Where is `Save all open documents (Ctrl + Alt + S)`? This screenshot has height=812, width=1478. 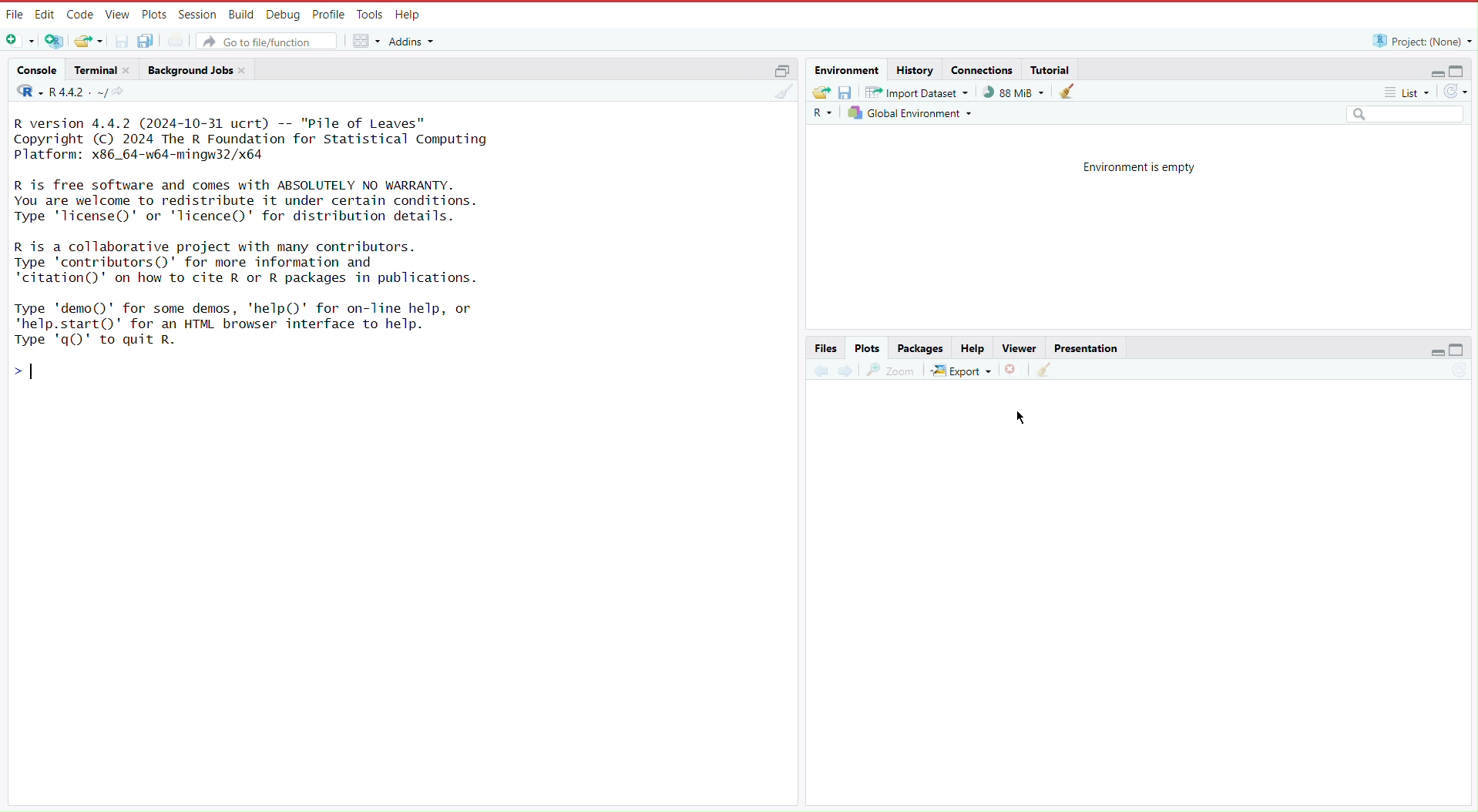
Save all open documents (Ctrl + Alt + S) is located at coordinates (153, 40).